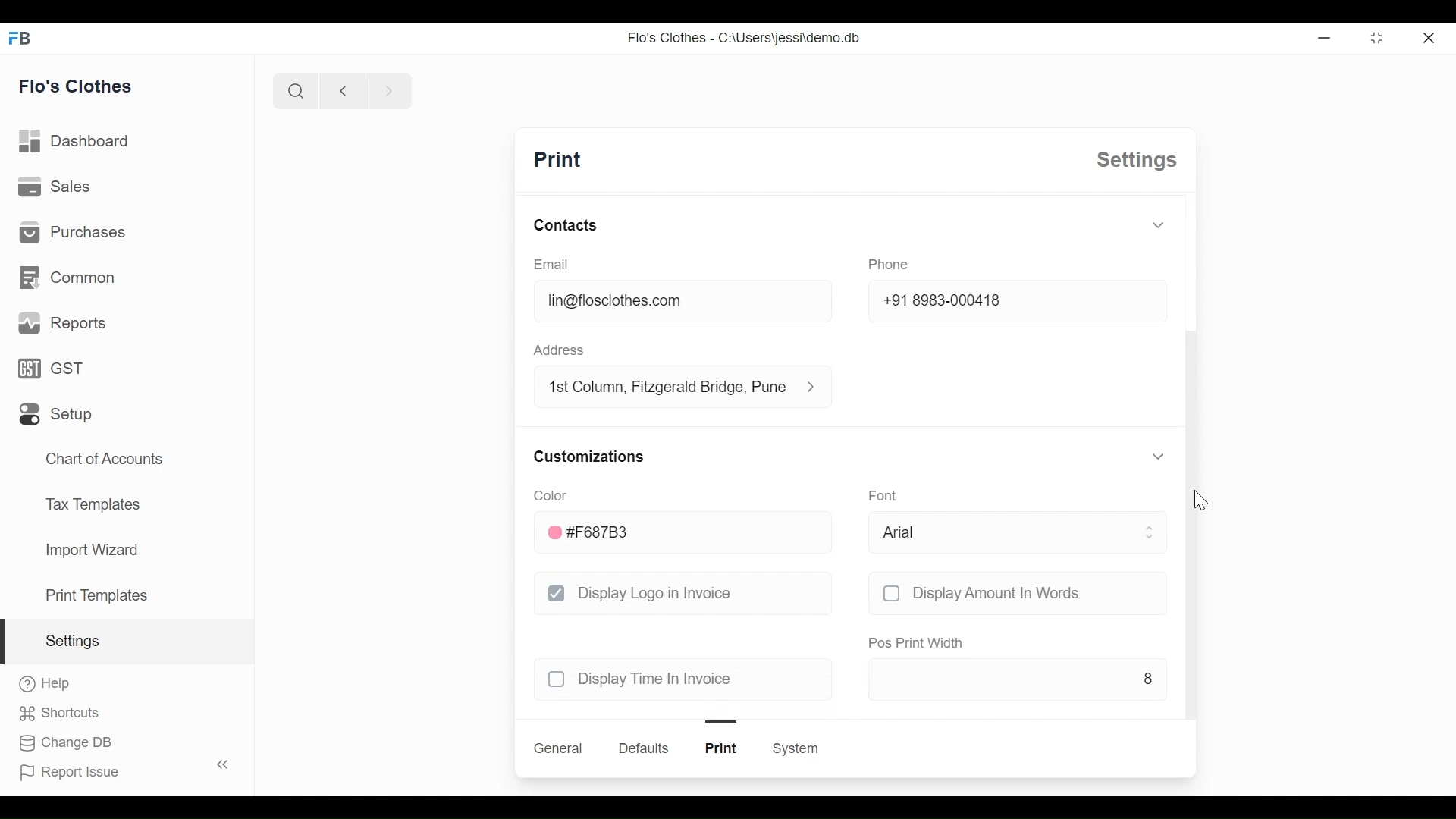  Describe the element at coordinates (71, 641) in the screenshot. I see `settings` at that location.